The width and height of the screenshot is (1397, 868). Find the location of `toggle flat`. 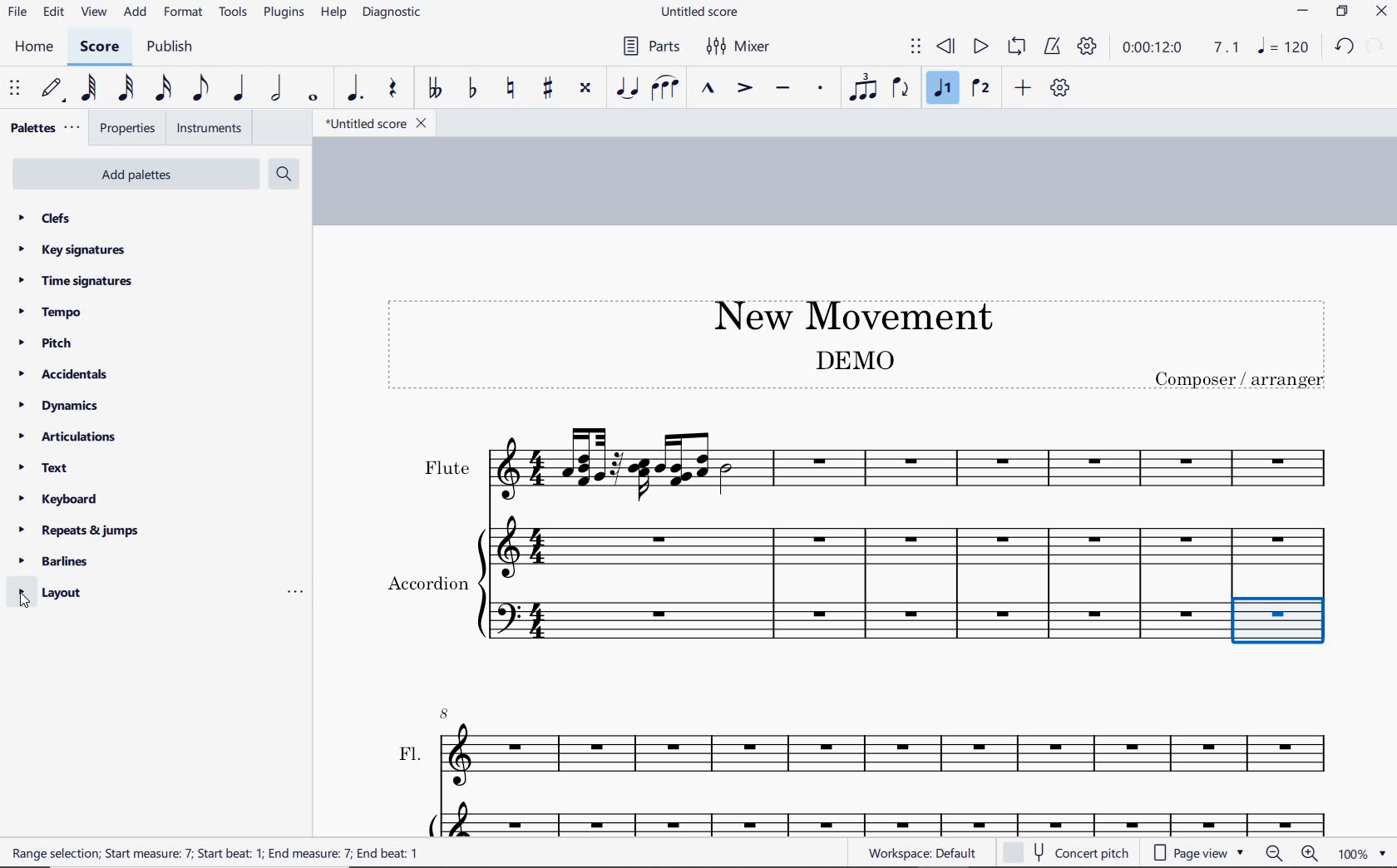

toggle flat is located at coordinates (471, 89).